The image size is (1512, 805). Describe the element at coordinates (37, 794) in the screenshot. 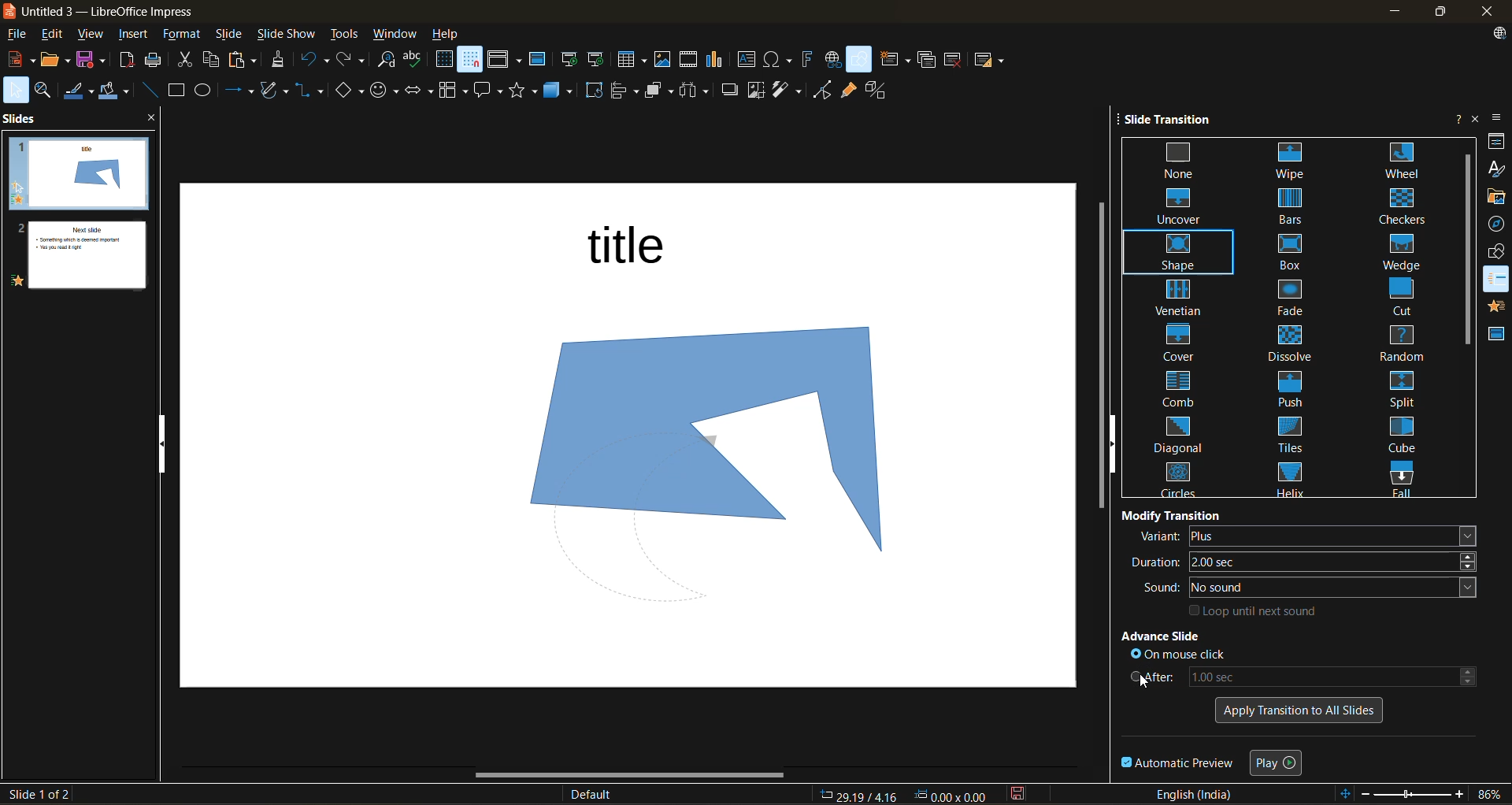

I see `slide count` at that location.